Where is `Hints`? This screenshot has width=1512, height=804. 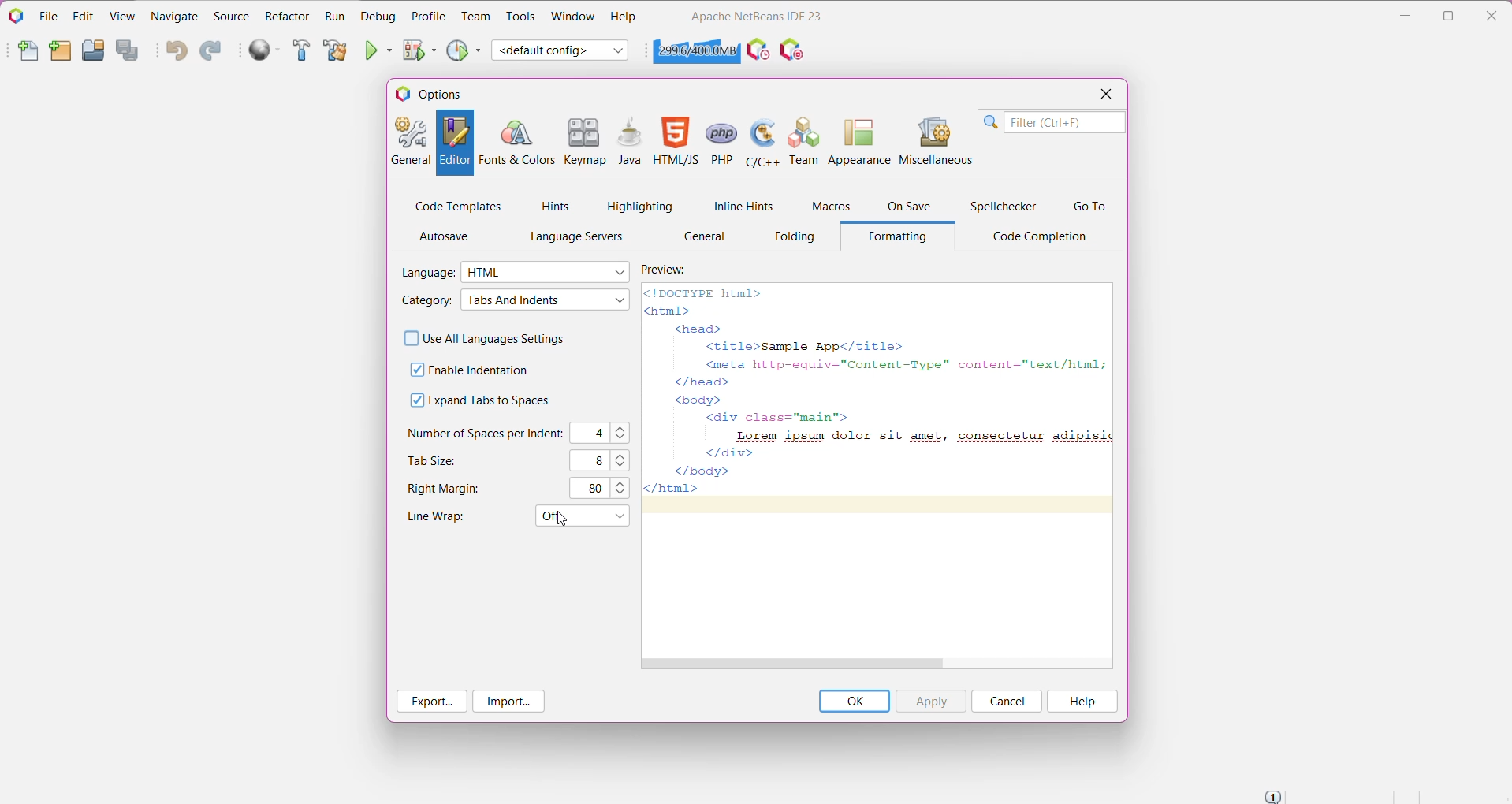 Hints is located at coordinates (556, 207).